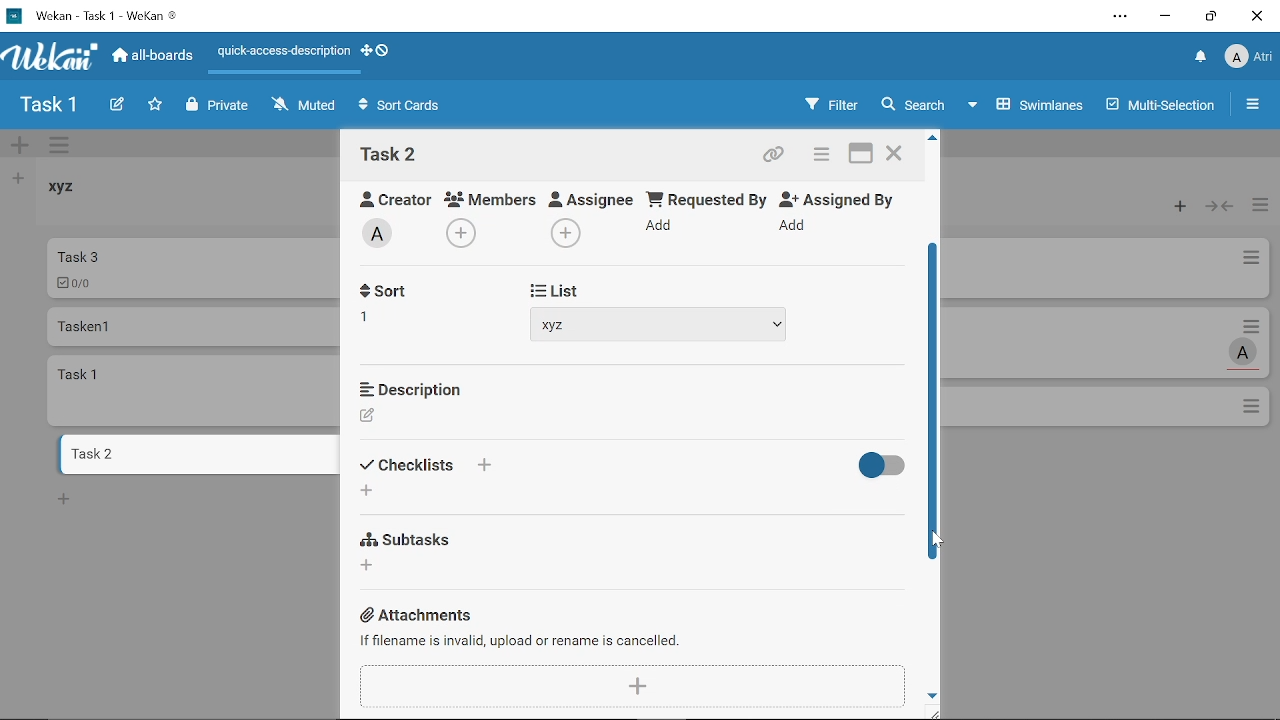 The image size is (1280, 720). I want to click on Received, so click(405, 293).